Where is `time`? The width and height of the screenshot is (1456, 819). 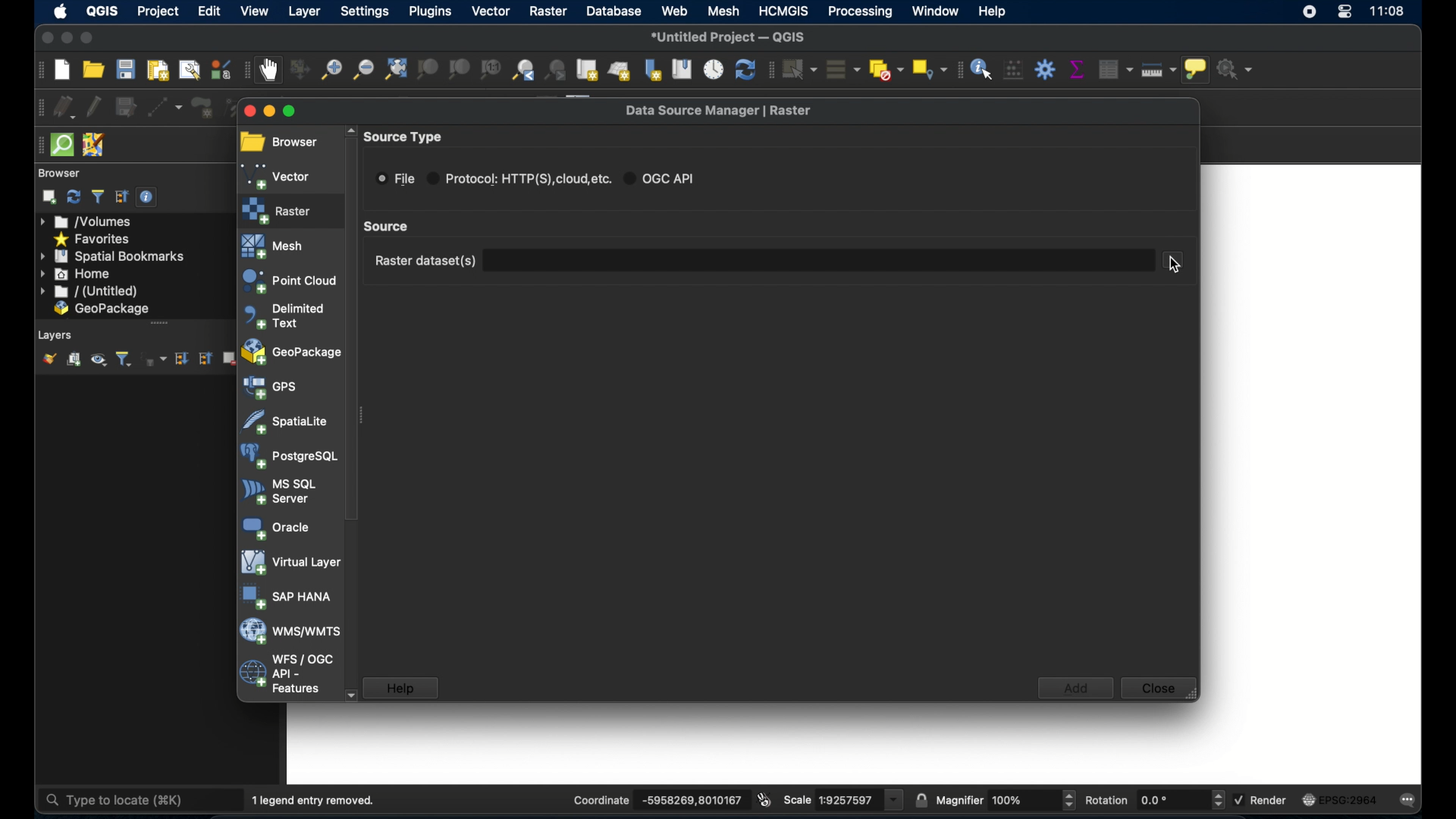
time is located at coordinates (1389, 13).